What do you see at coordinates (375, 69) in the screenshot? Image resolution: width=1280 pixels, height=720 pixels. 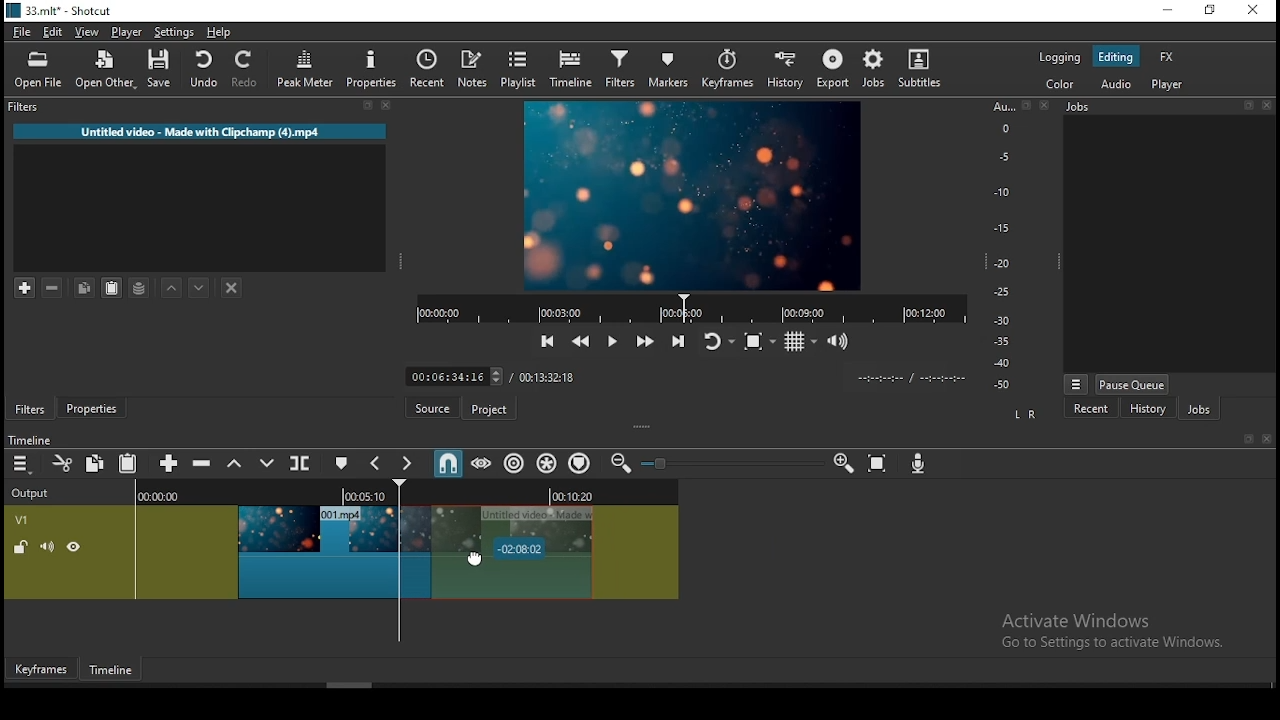 I see `properties` at bounding box center [375, 69].